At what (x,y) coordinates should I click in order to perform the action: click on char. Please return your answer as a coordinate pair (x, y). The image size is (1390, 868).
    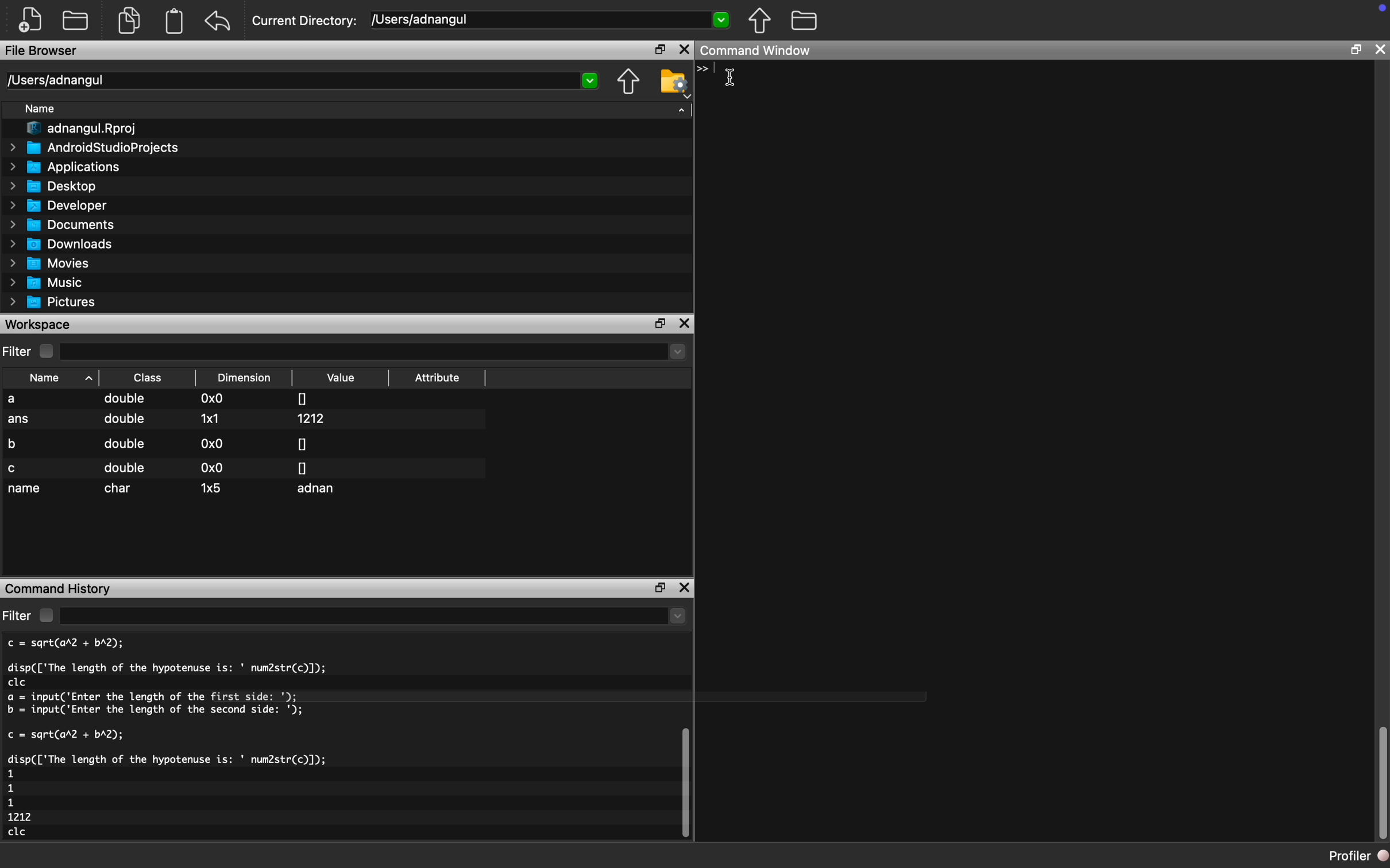
    Looking at the image, I should click on (121, 489).